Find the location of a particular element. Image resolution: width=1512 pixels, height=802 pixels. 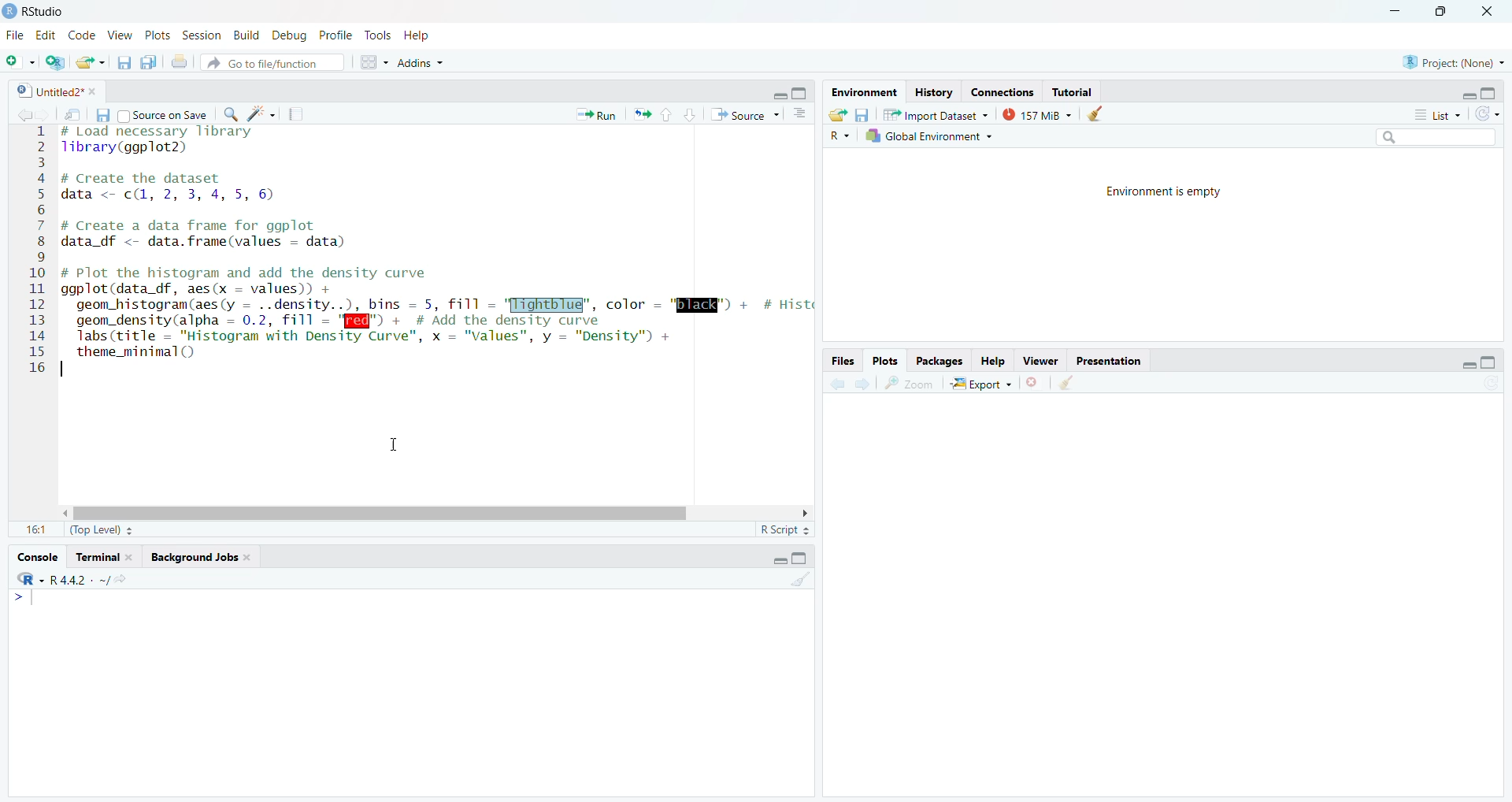

minimize is located at coordinates (780, 95).